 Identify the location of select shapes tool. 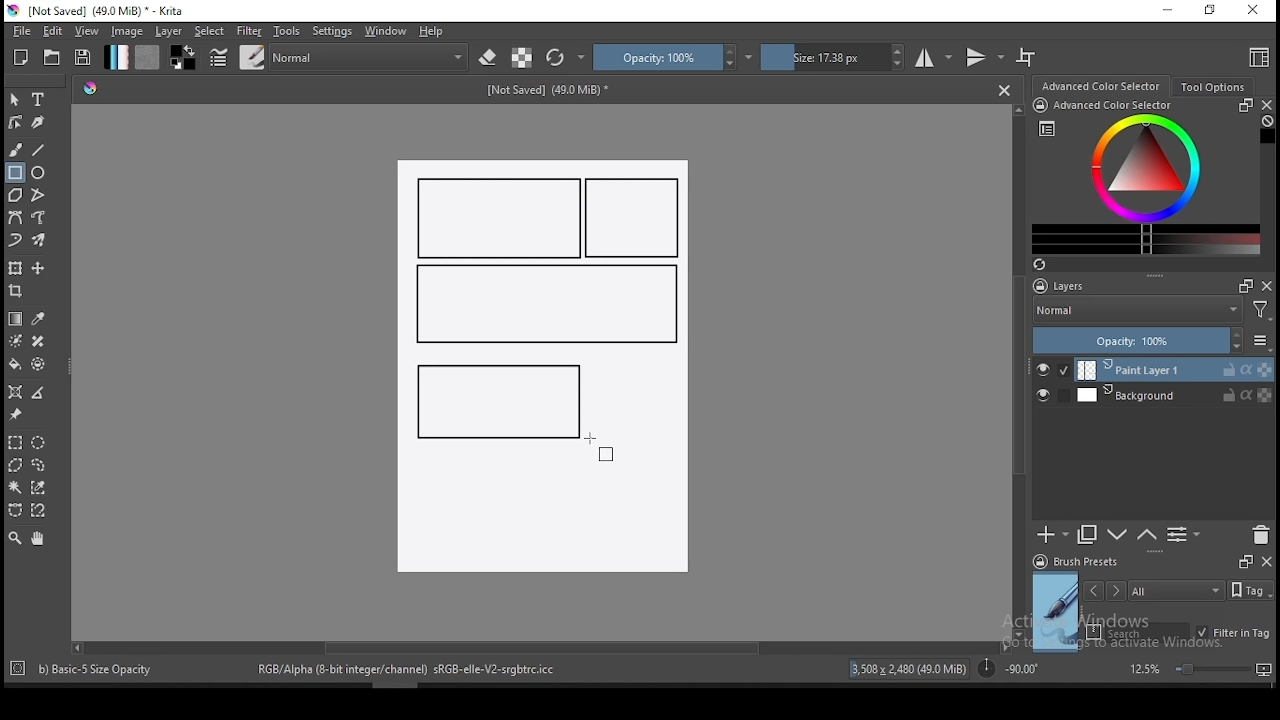
(15, 99).